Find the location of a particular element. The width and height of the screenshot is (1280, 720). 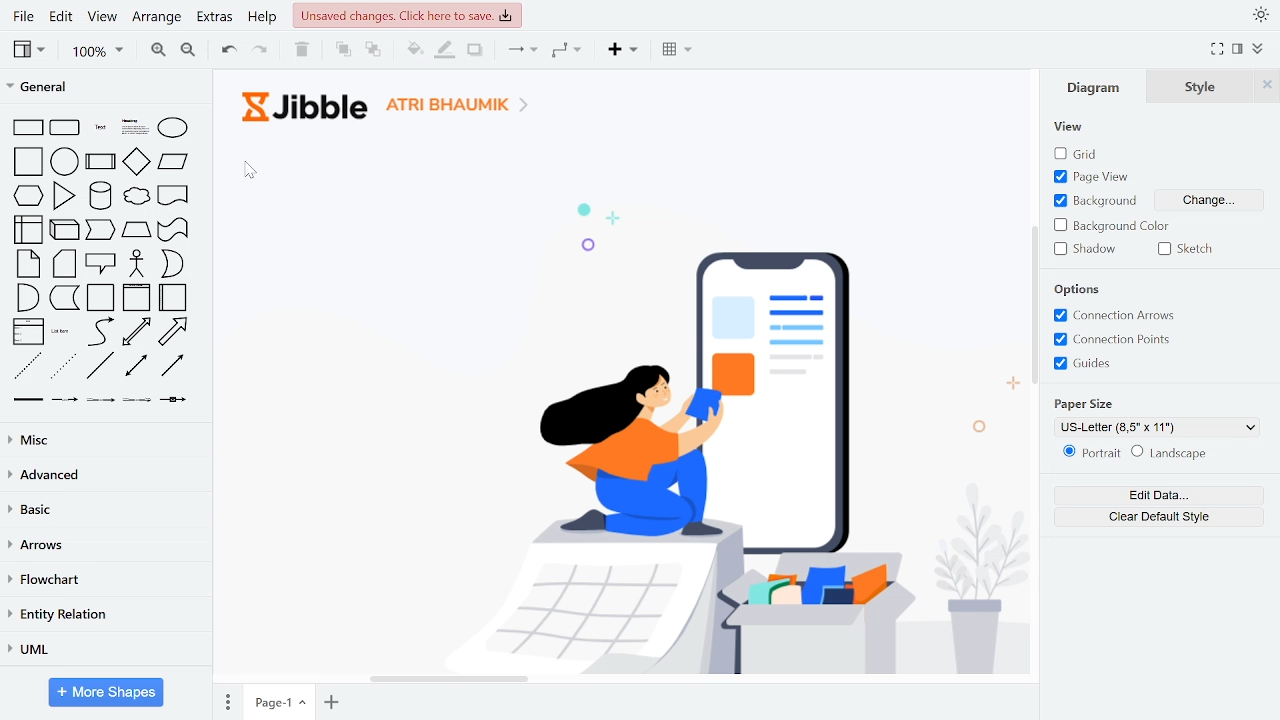

general shapes is located at coordinates (133, 197).